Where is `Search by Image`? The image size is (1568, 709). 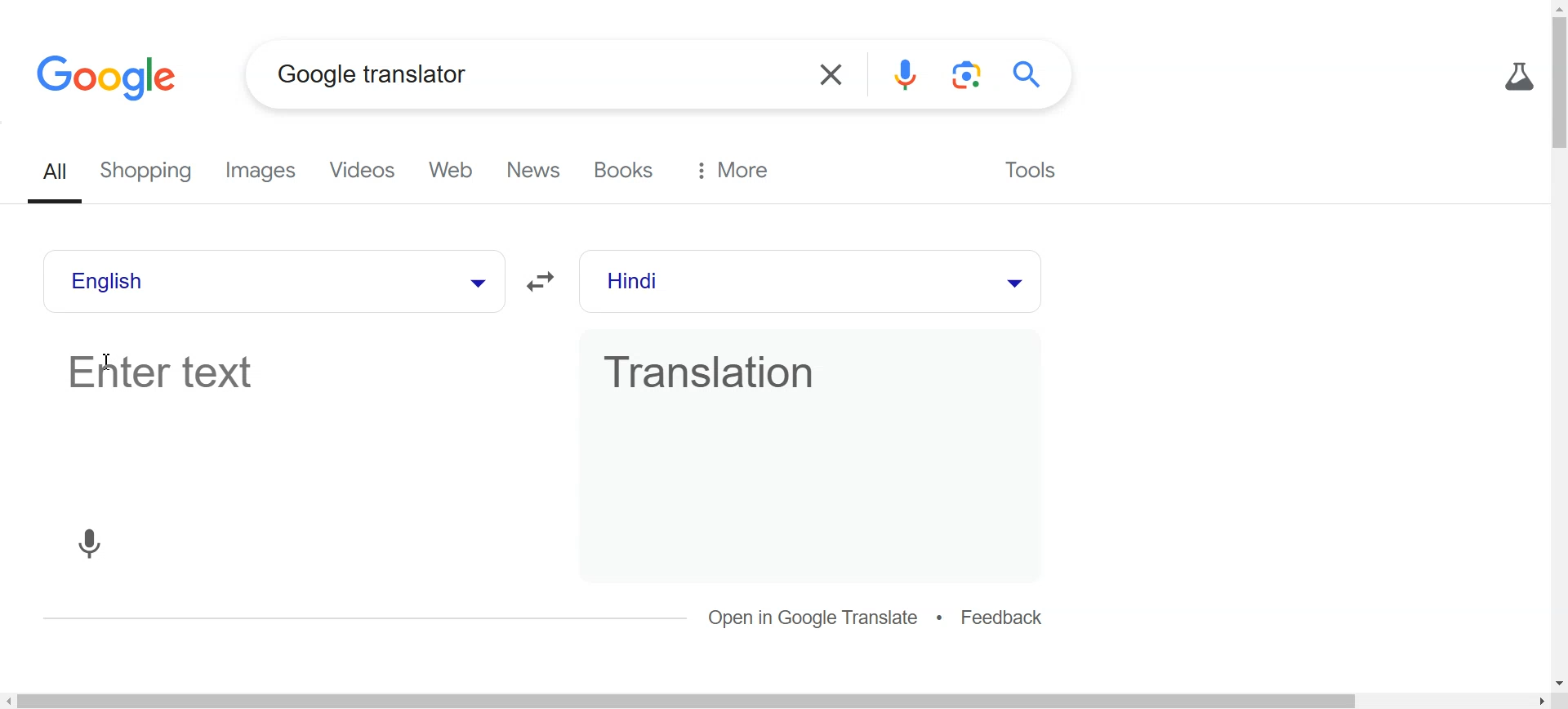 Search by Image is located at coordinates (969, 75).